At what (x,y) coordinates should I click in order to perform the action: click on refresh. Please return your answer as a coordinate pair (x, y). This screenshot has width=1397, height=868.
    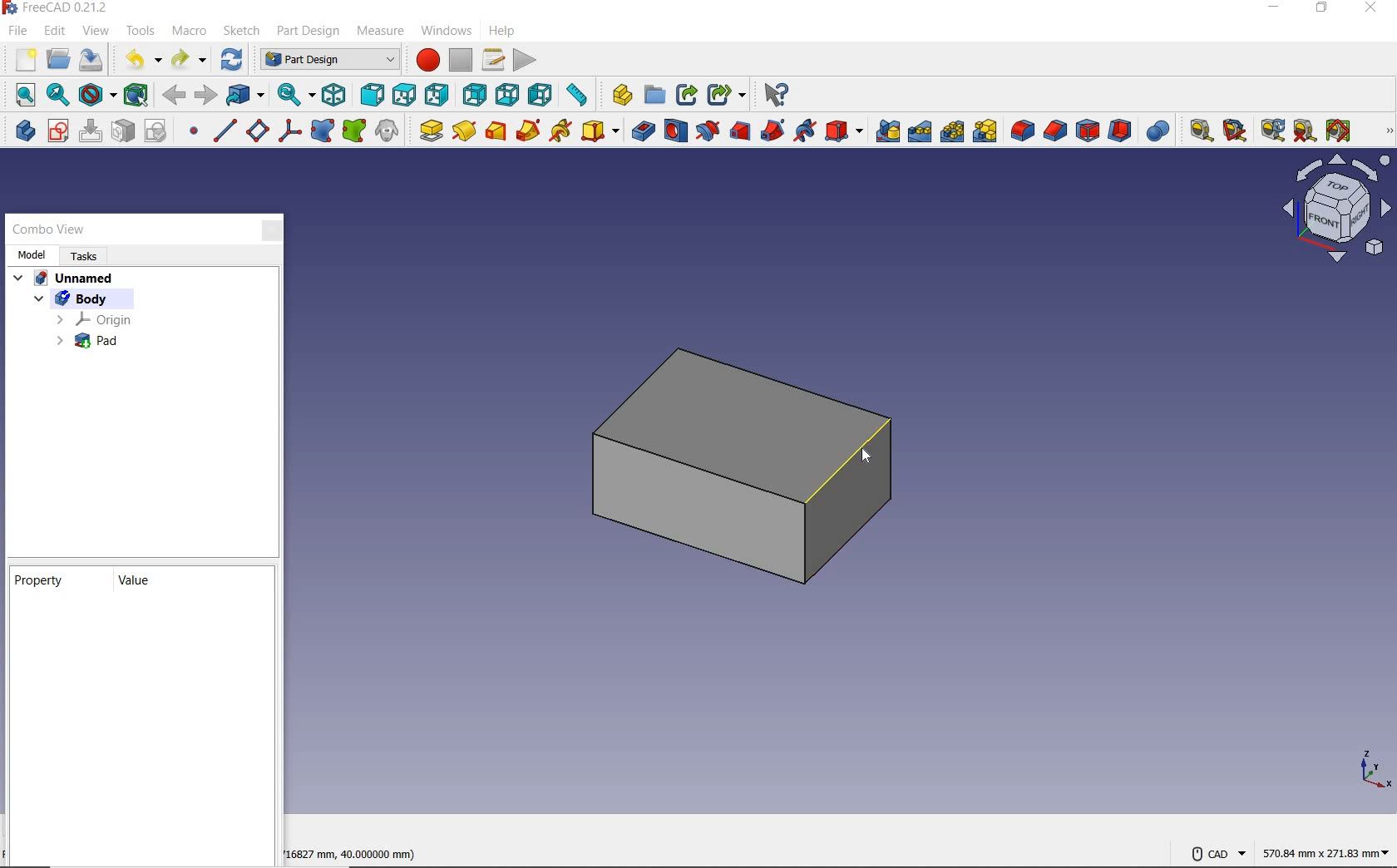
    Looking at the image, I should click on (234, 59).